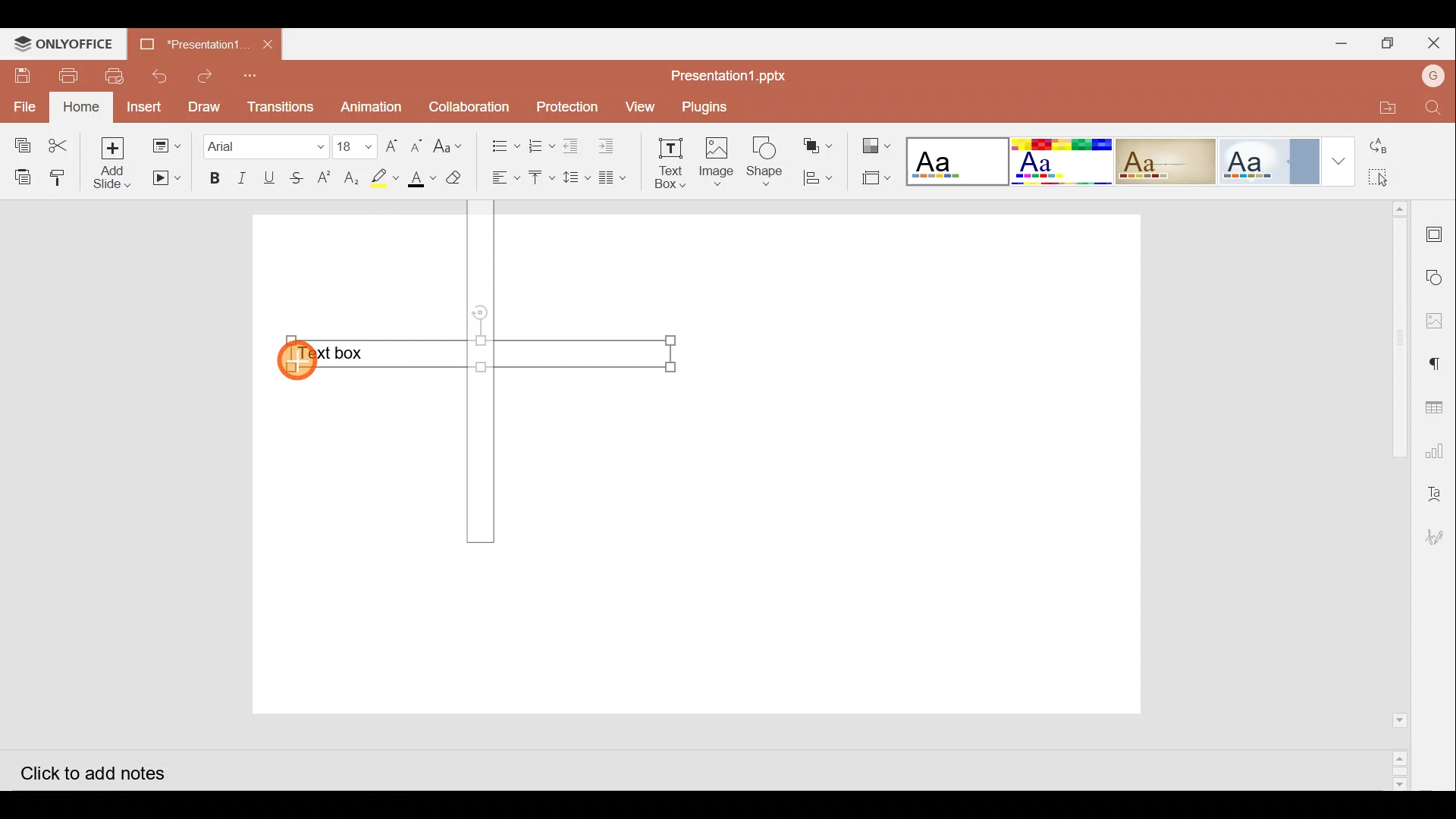 The height and width of the screenshot is (819, 1456). Describe the element at coordinates (419, 179) in the screenshot. I see `Font color` at that location.